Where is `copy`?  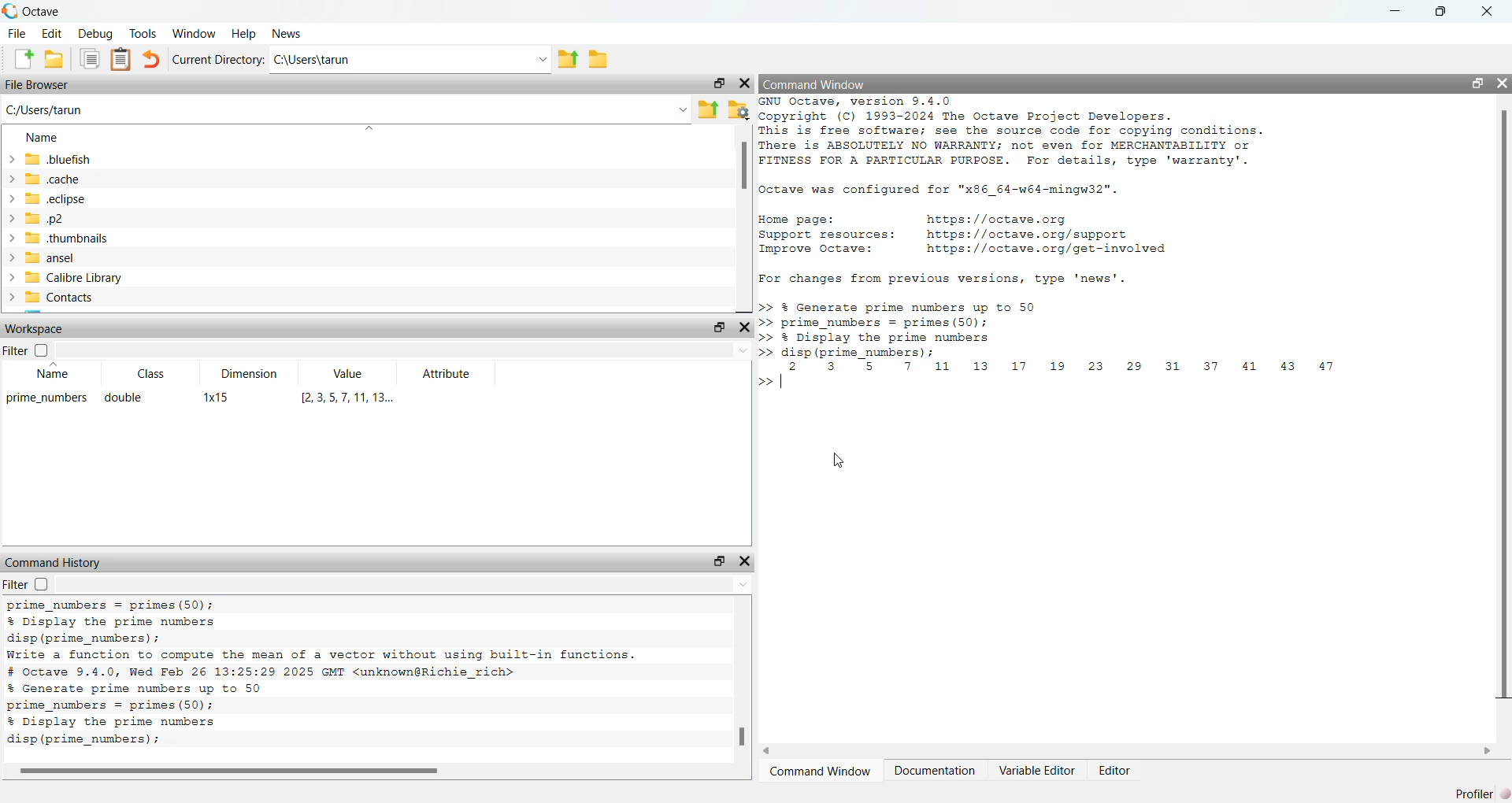
copy is located at coordinates (89, 59).